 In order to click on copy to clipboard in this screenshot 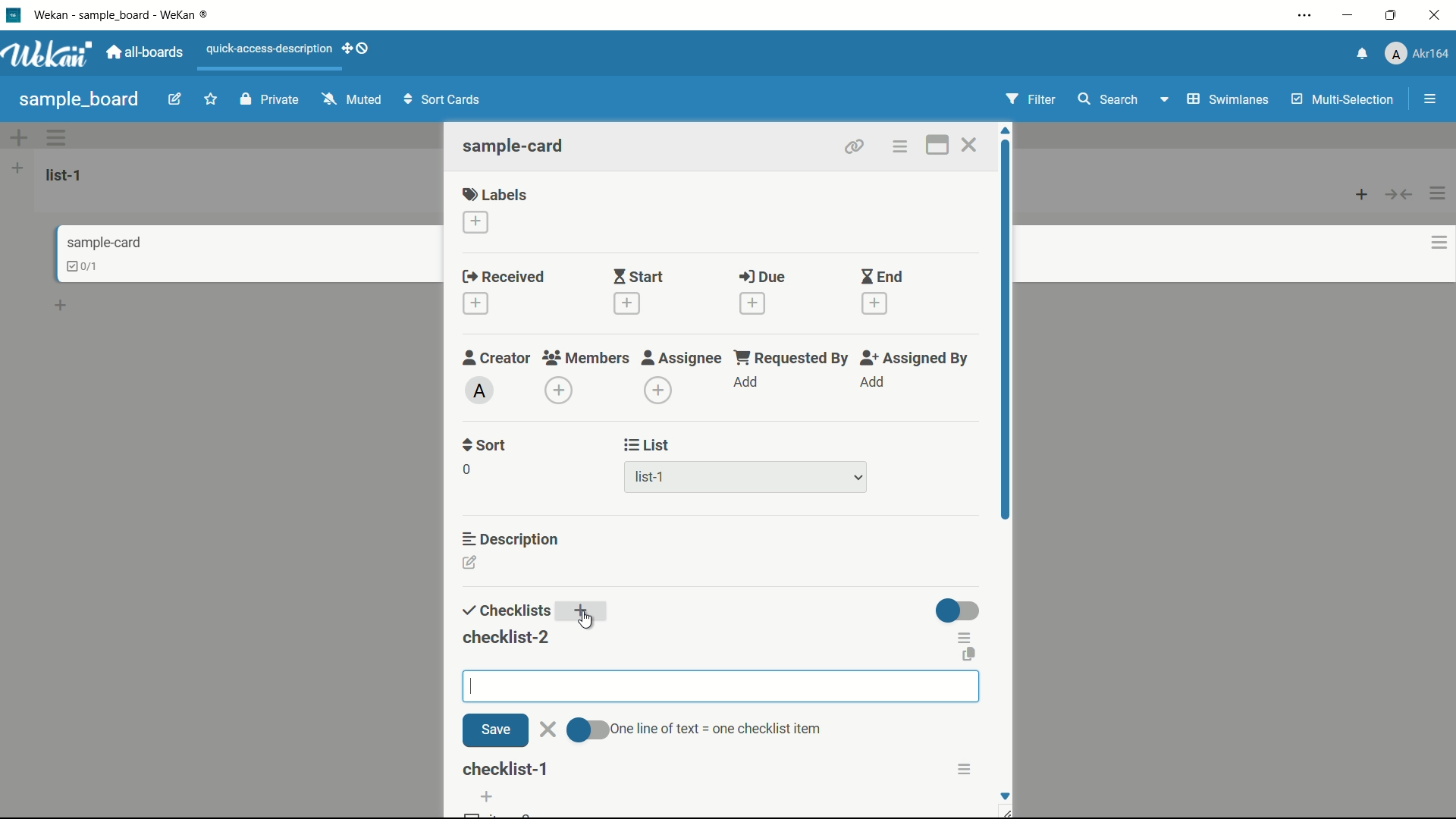, I will do `click(968, 657)`.